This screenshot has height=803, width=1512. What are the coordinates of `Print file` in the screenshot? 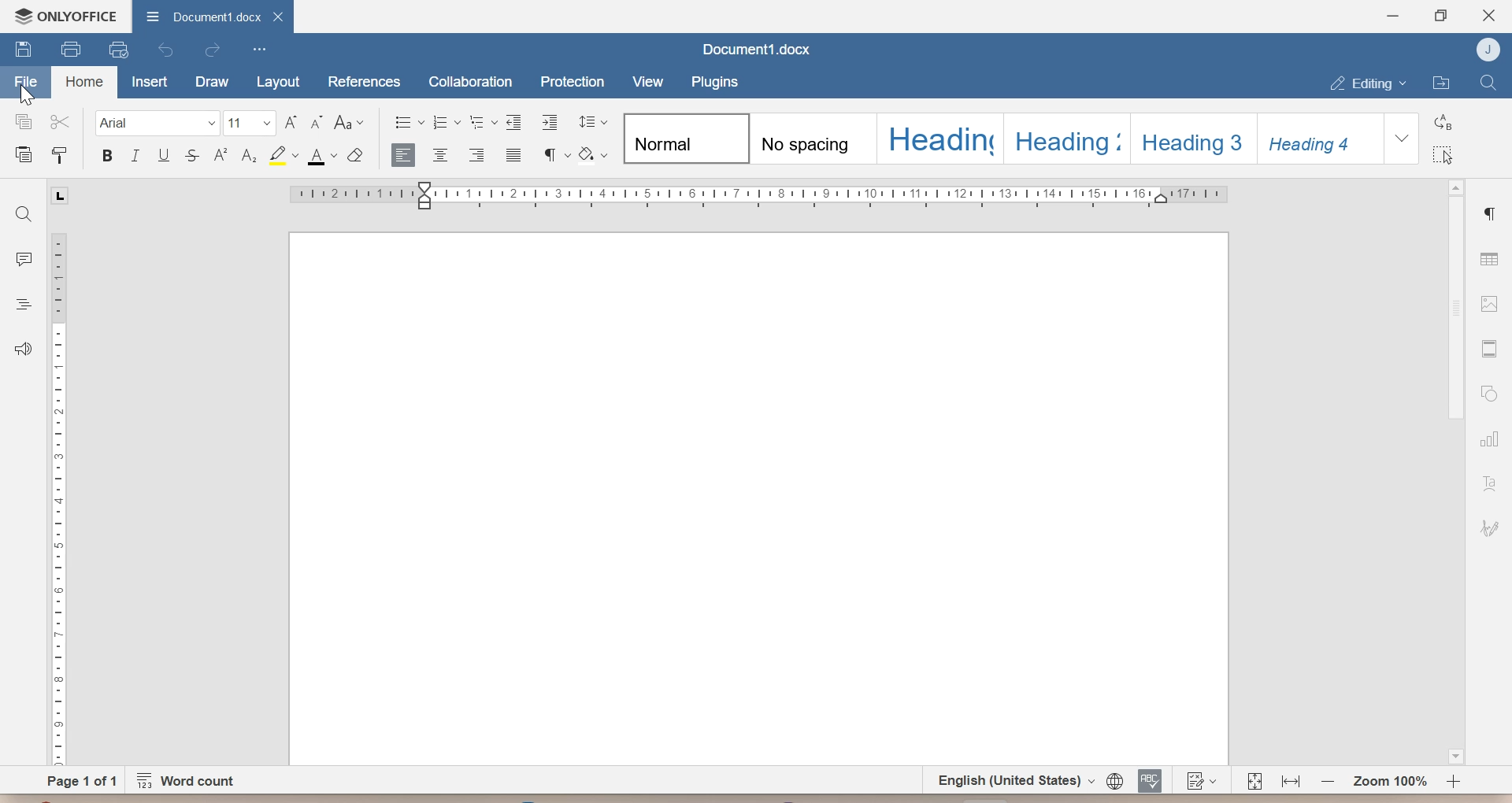 It's located at (69, 49).